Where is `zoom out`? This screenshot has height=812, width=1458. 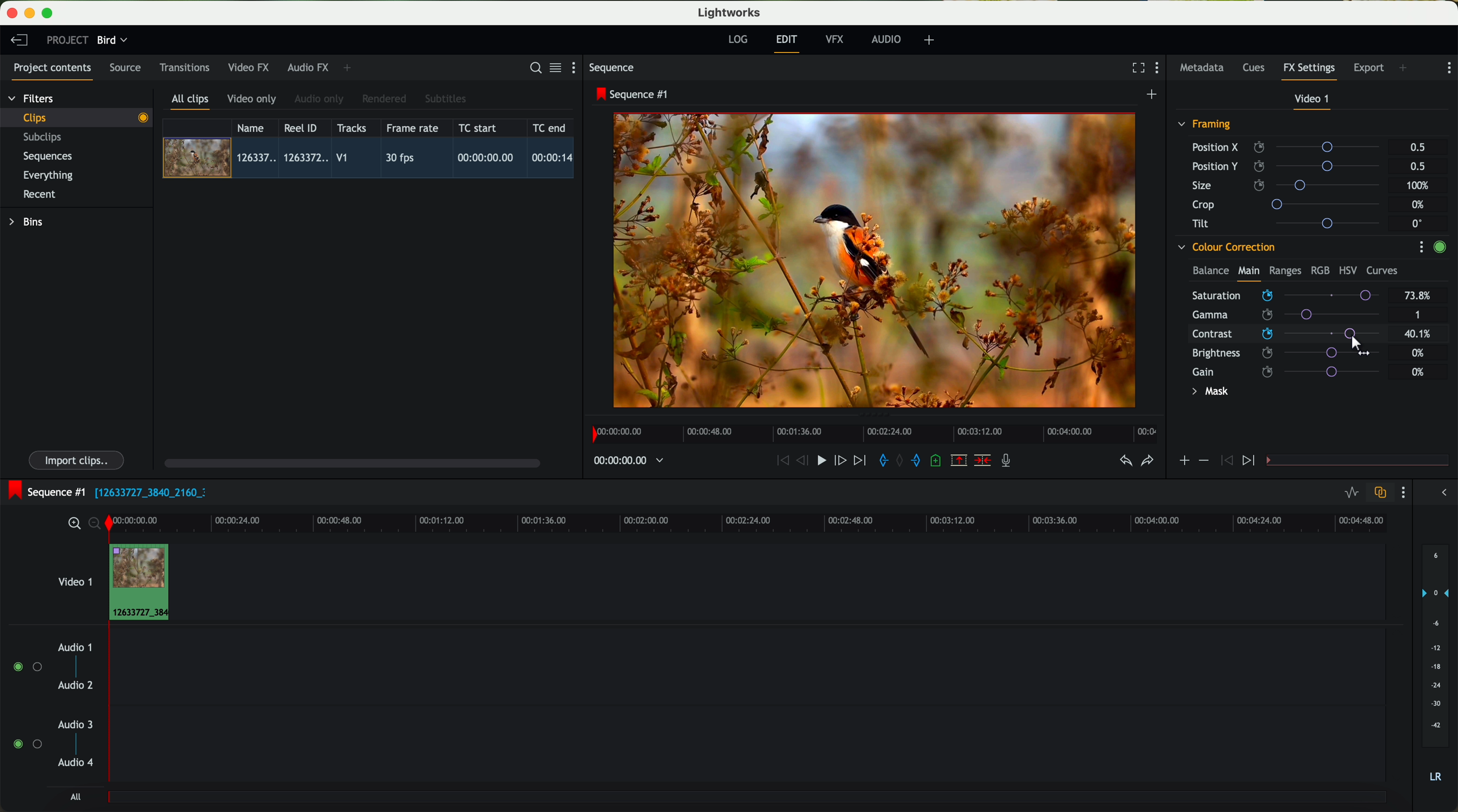
zoom out is located at coordinates (96, 525).